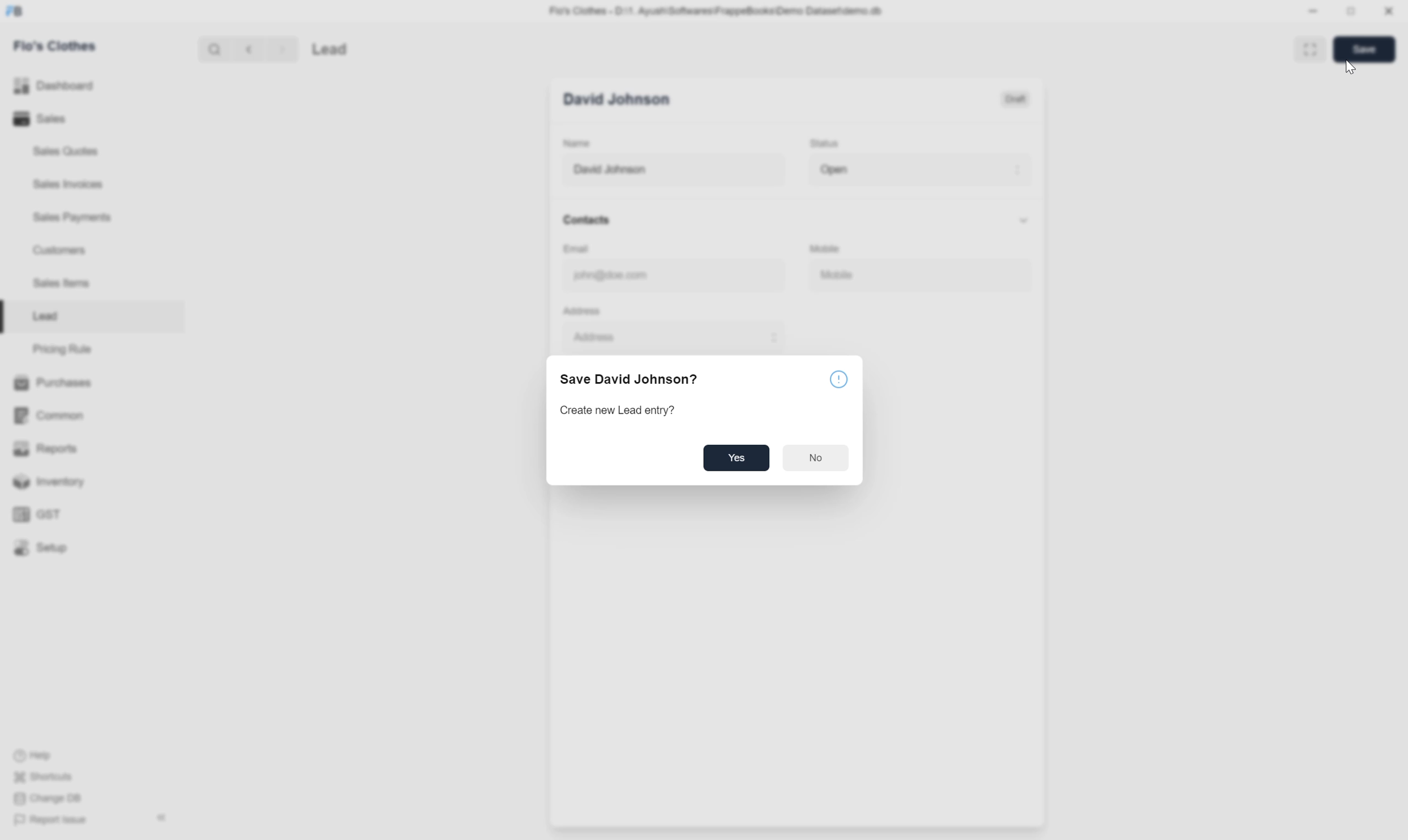 The height and width of the screenshot is (840, 1408). What do you see at coordinates (831, 246) in the screenshot?
I see `Mobile` at bounding box center [831, 246].